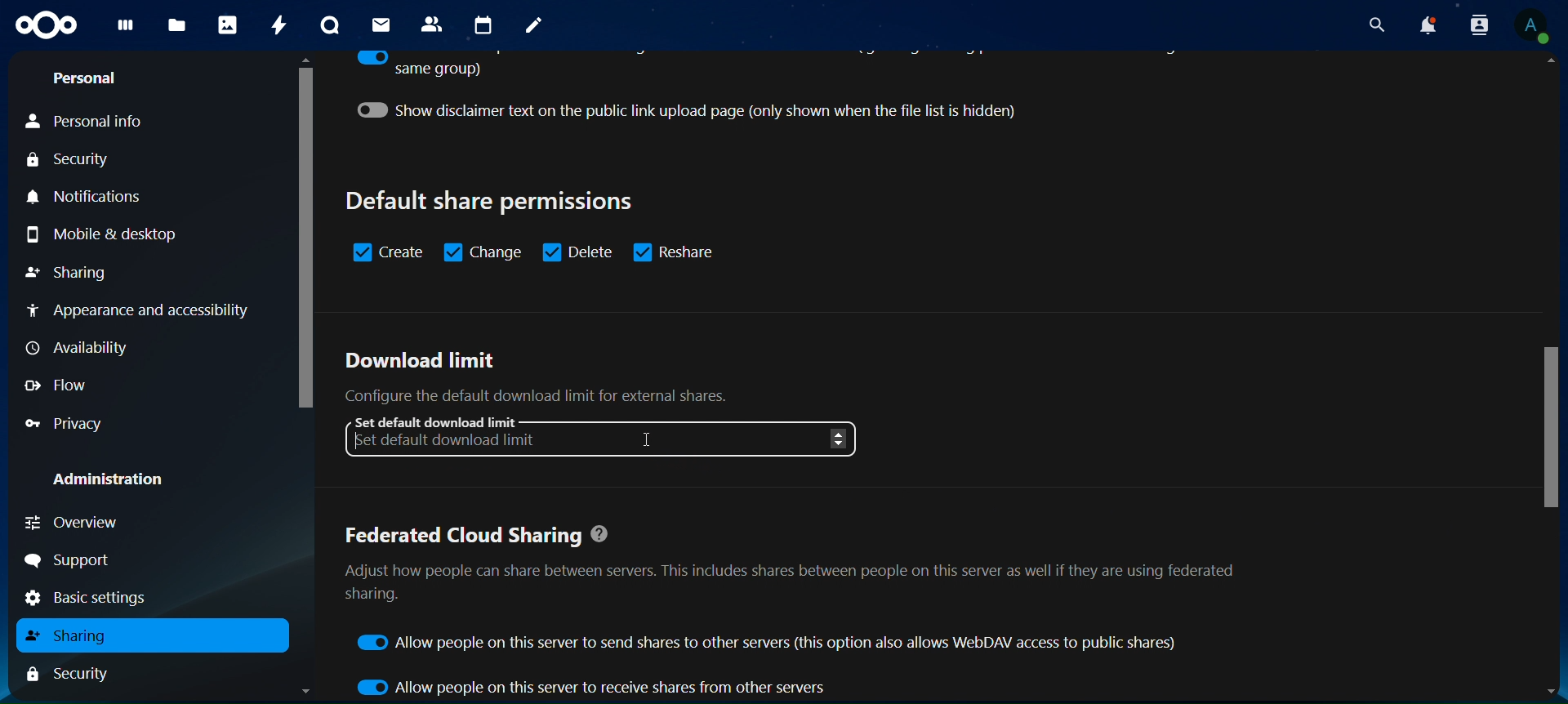  What do you see at coordinates (389, 252) in the screenshot?
I see `sreate ` at bounding box center [389, 252].